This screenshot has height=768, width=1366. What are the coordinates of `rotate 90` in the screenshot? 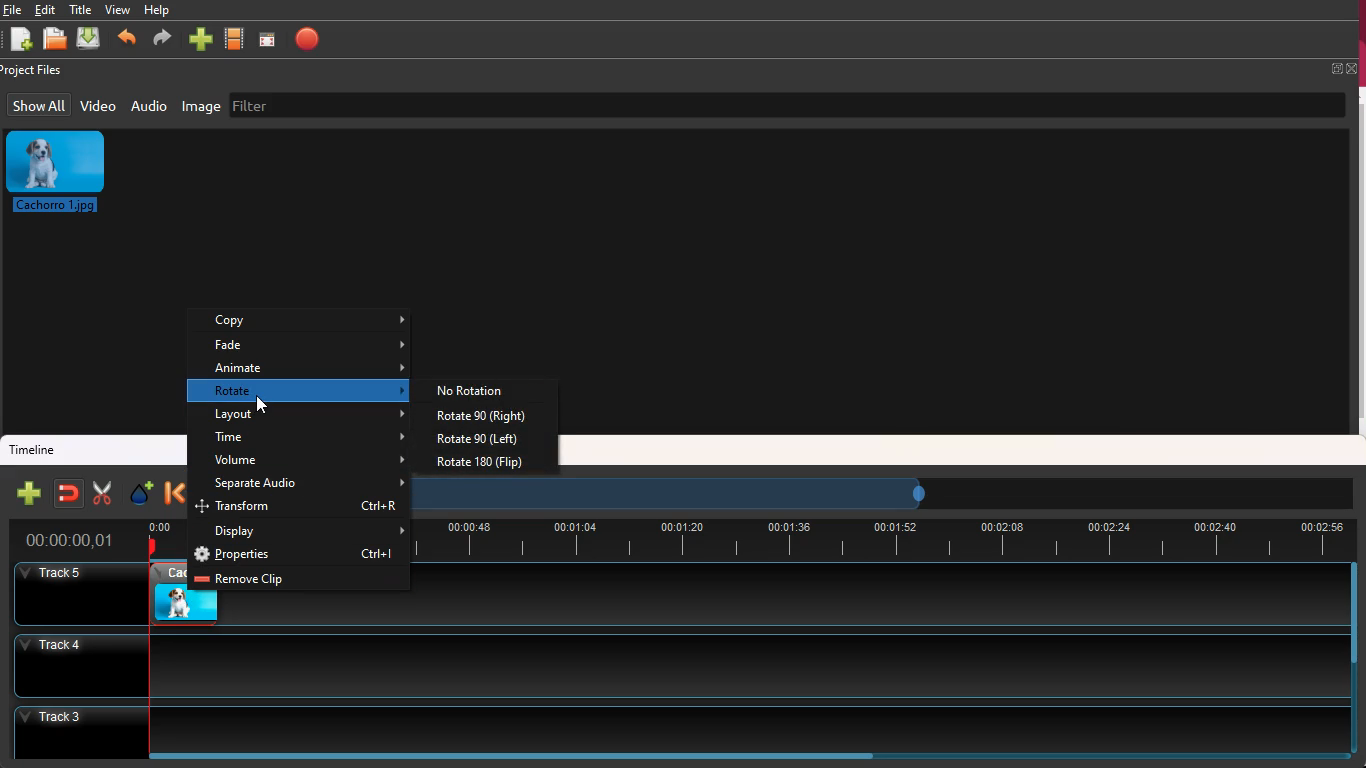 It's located at (487, 440).